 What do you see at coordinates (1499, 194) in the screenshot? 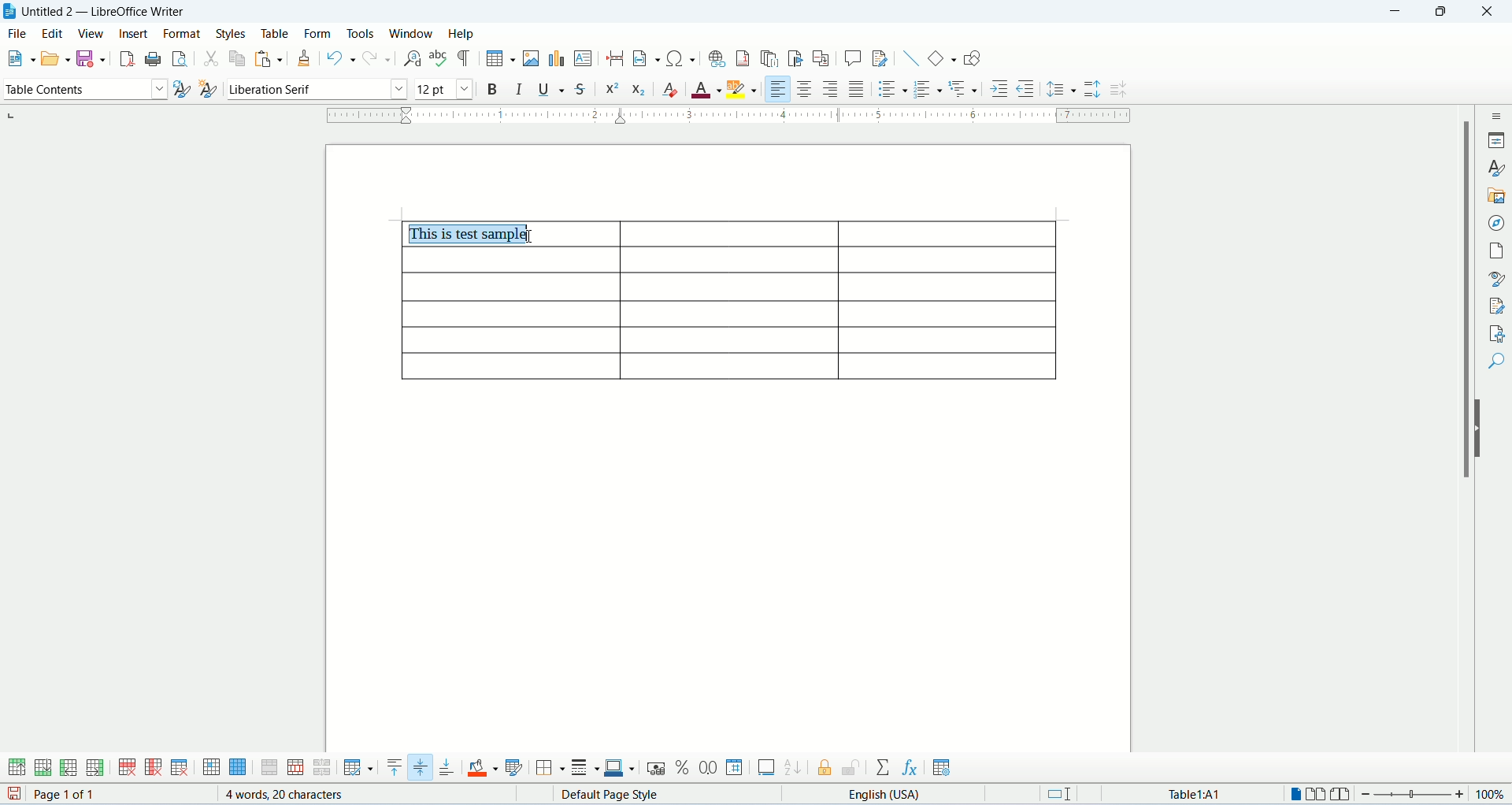
I see `gallery` at bounding box center [1499, 194].